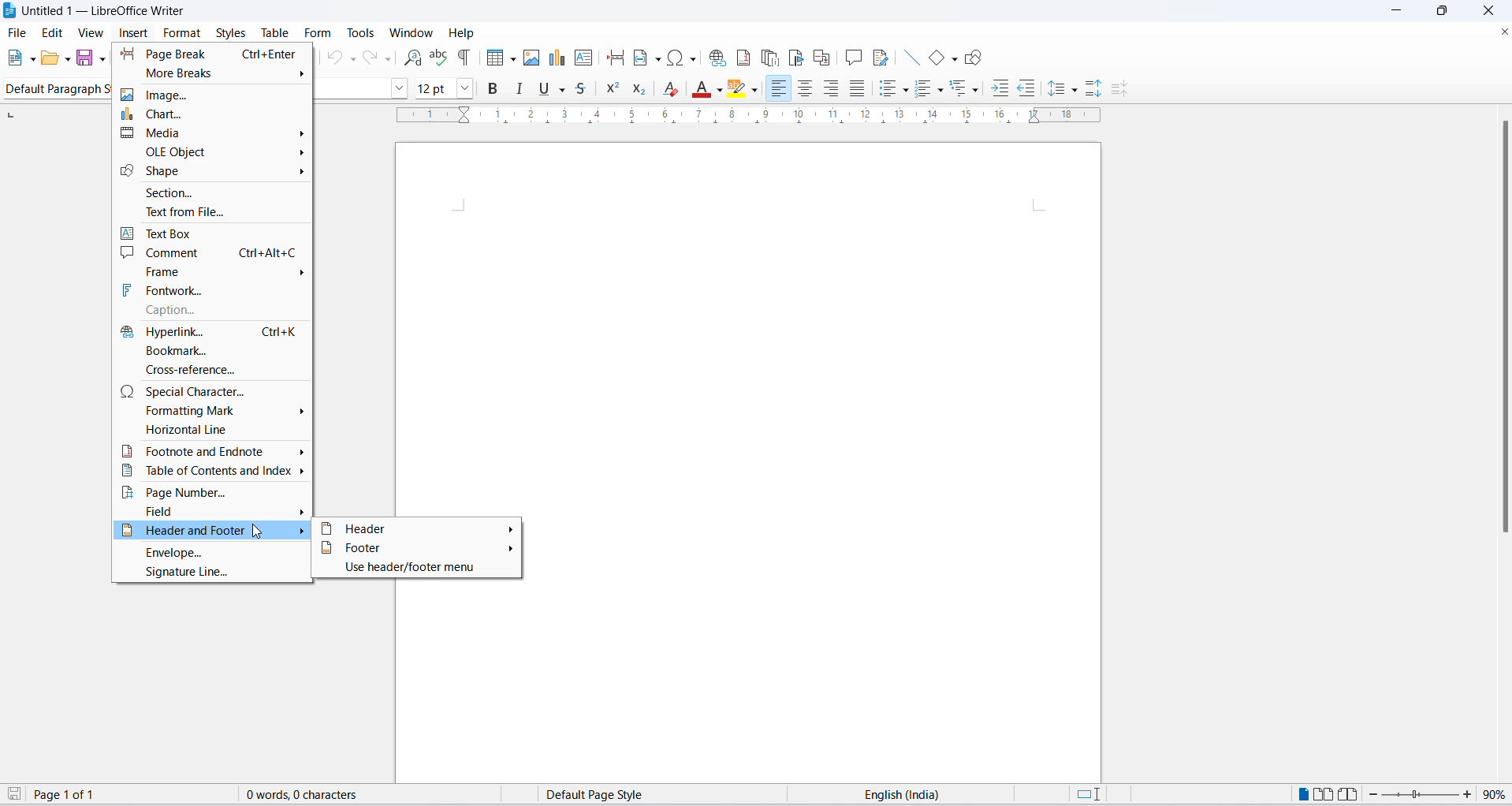 The image size is (1512, 806). What do you see at coordinates (491, 58) in the screenshot?
I see `insert grid` at bounding box center [491, 58].